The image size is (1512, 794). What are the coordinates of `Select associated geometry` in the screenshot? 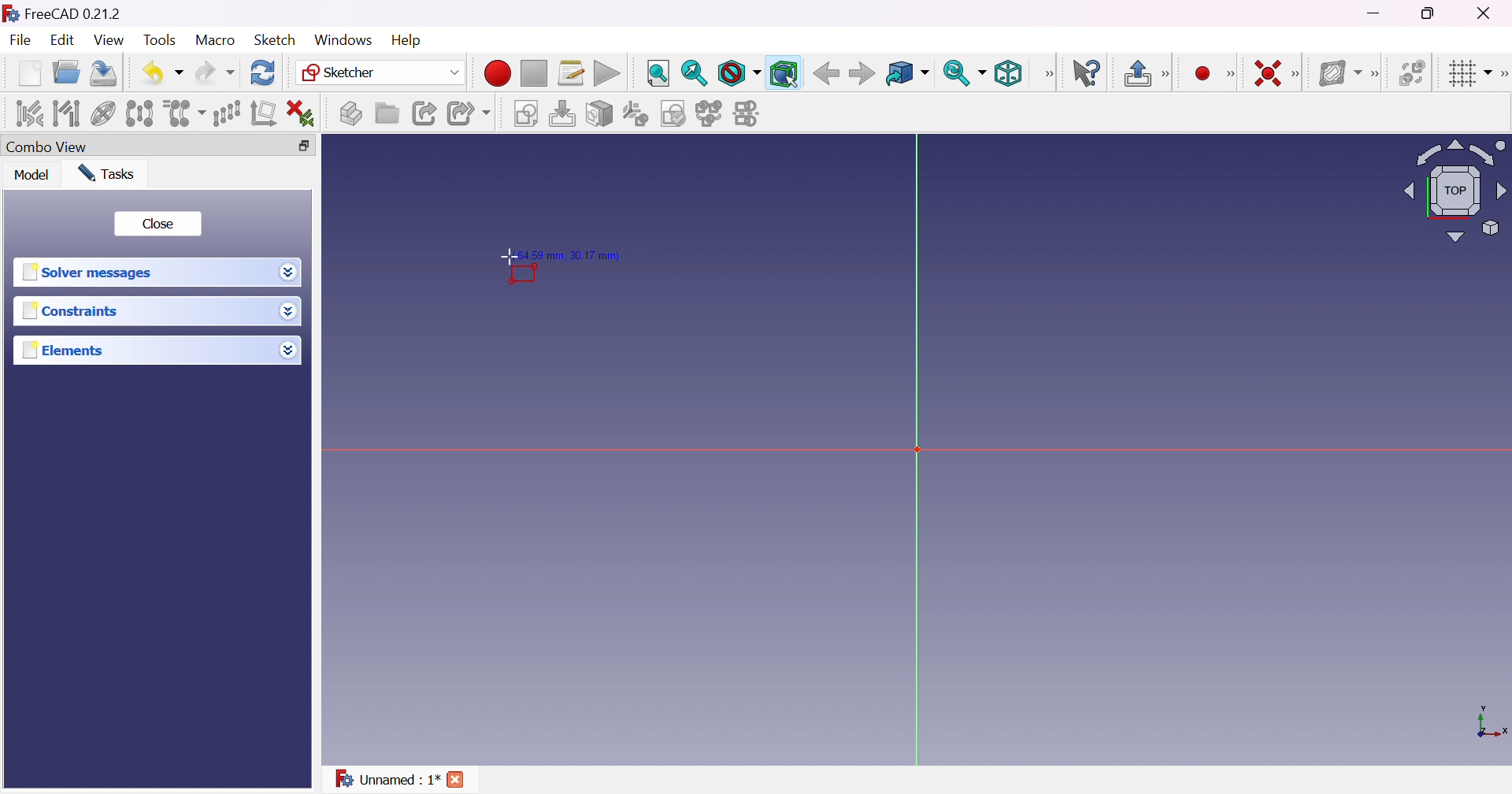 It's located at (65, 113).